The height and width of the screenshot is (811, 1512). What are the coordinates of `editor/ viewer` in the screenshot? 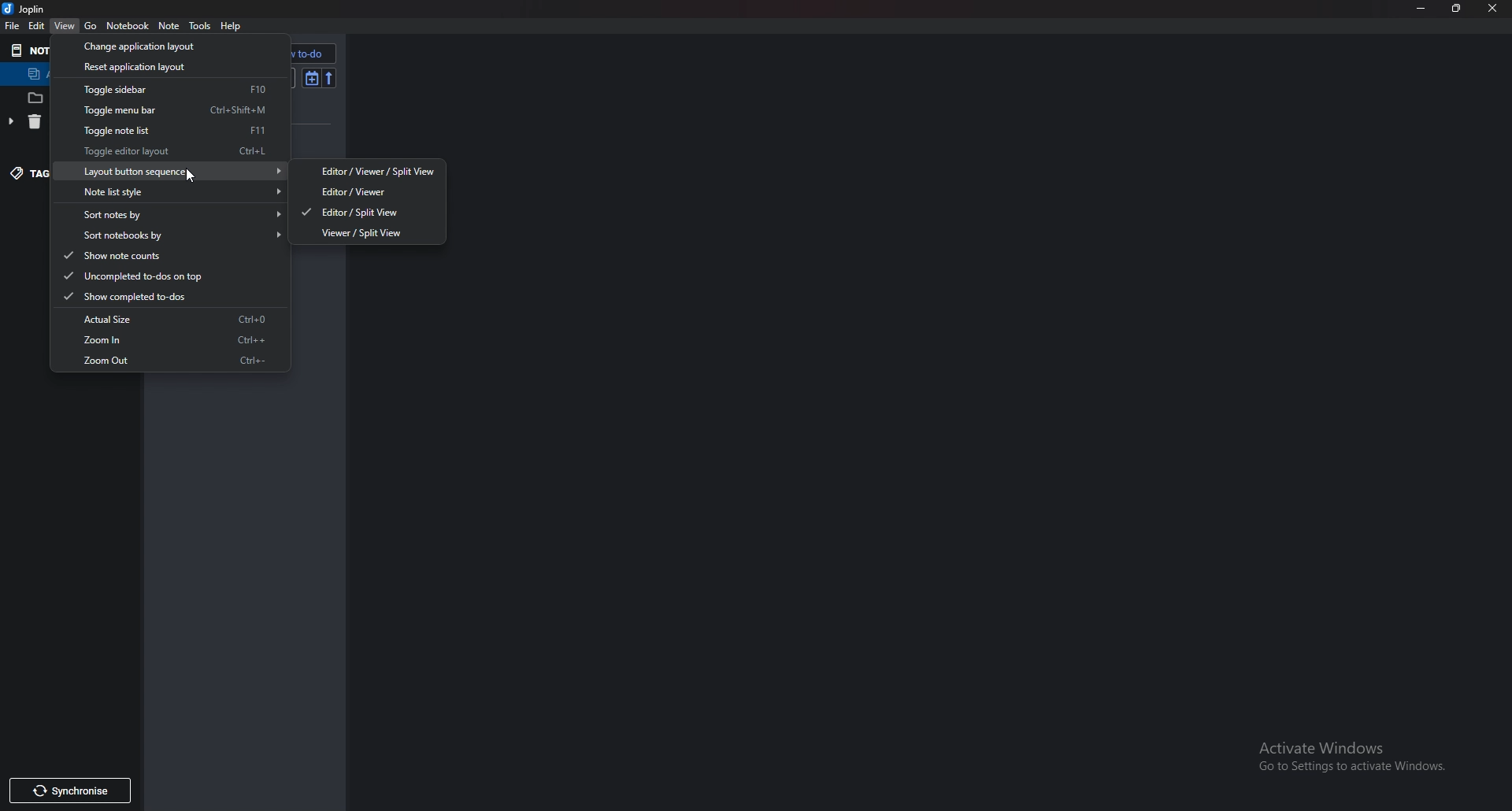 It's located at (369, 191).